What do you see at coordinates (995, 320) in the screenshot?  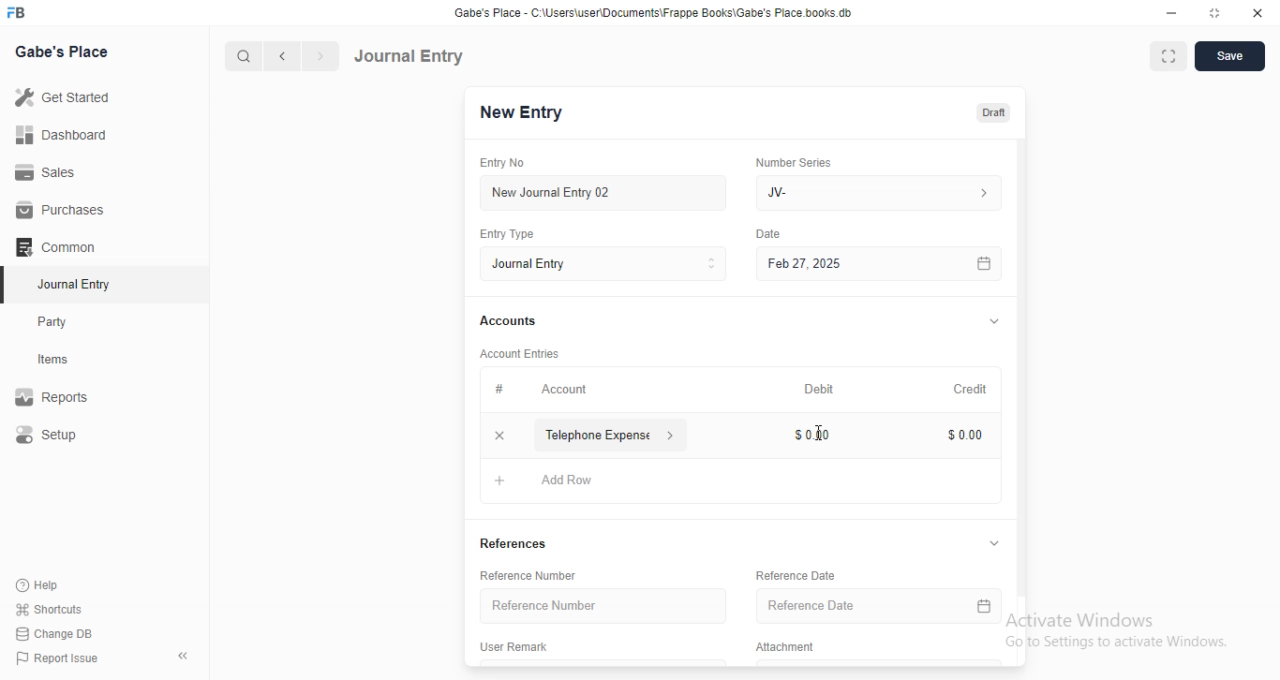 I see `Hide` at bounding box center [995, 320].